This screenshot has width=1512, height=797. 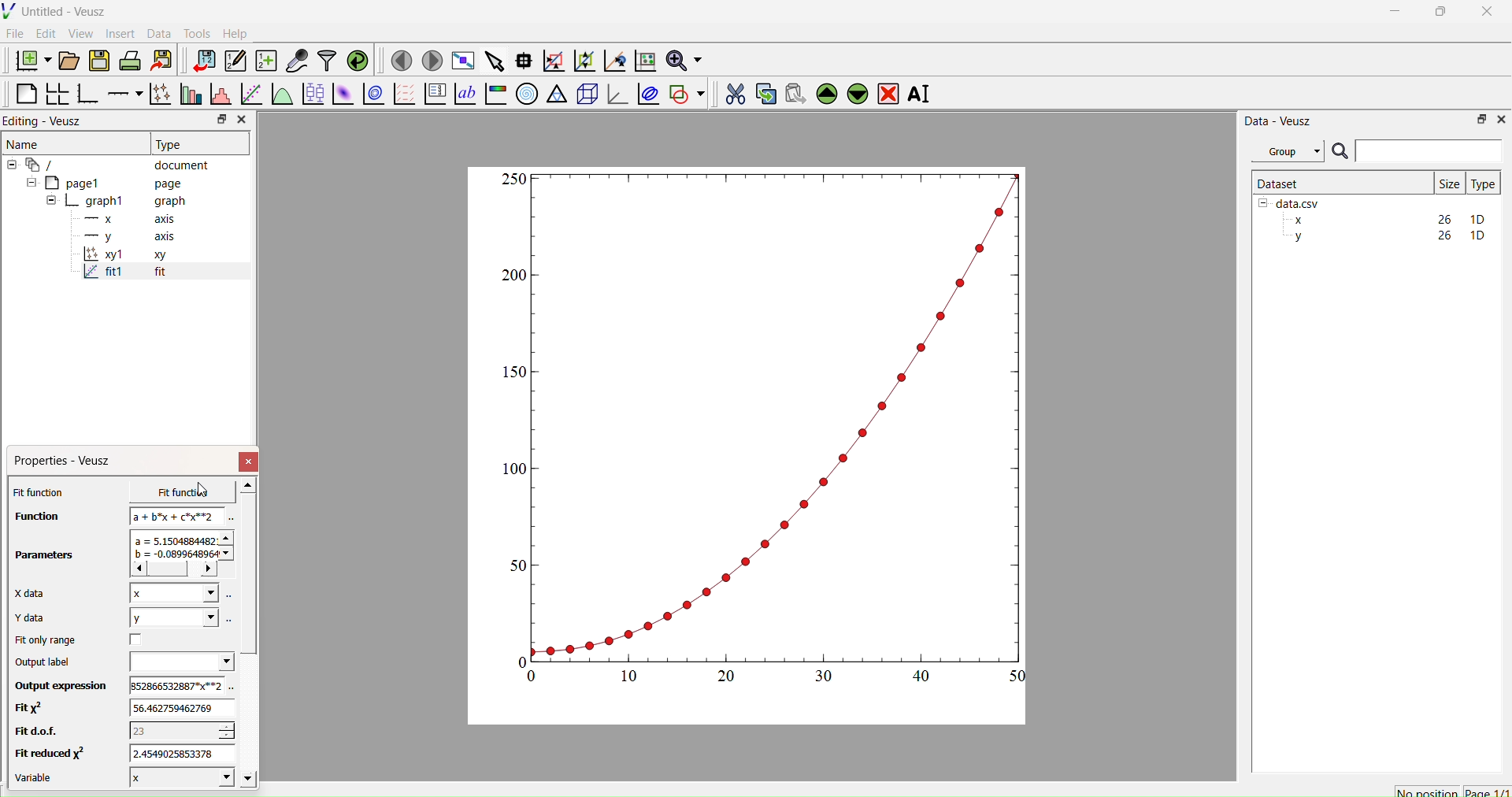 What do you see at coordinates (428, 61) in the screenshot?
I see `Next page` at bounding box center [428, 61].